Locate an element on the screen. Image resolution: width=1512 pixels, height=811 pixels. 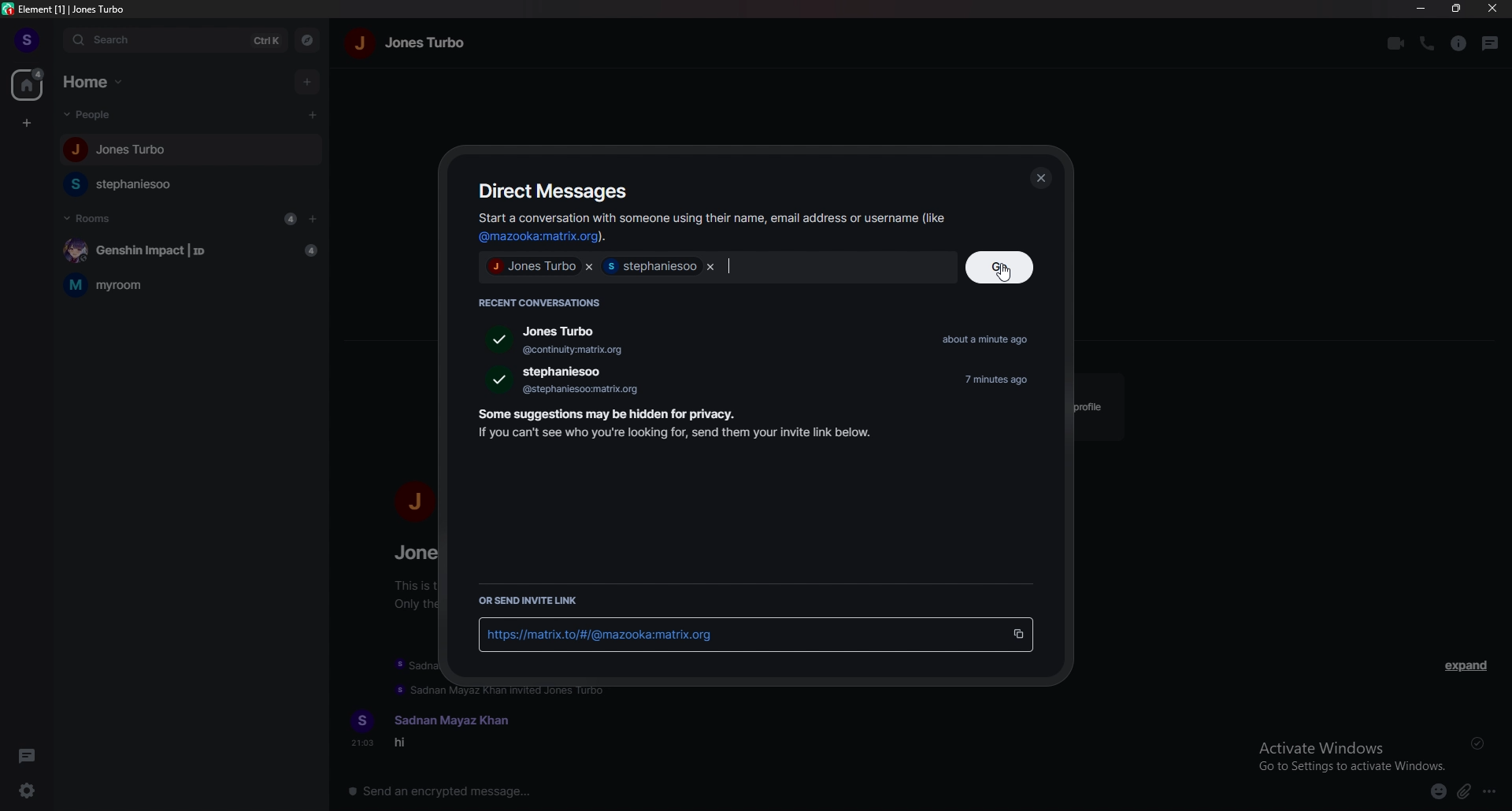
cursor is located at coordinates (1004, 272).